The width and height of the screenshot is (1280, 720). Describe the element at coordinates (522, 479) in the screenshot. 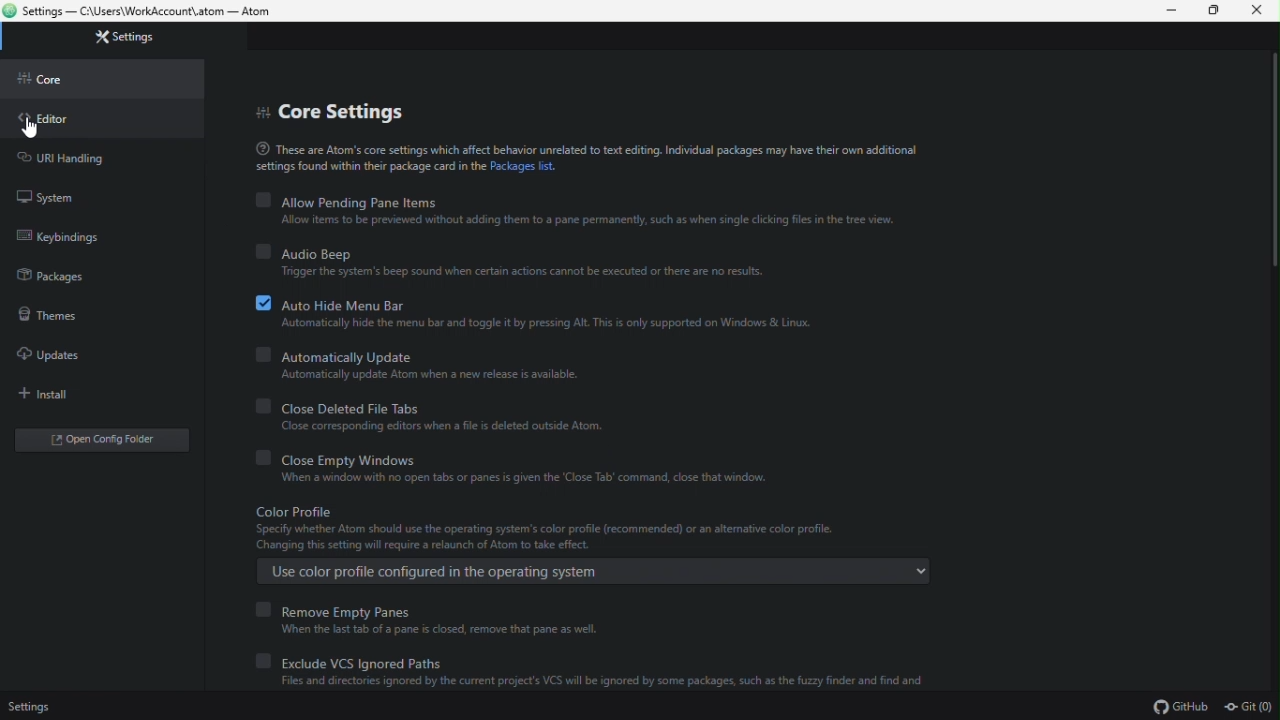

I see `‘When a window with no open tabs or panes is given the ‘Close Tab’ command, close that window.` at that location.